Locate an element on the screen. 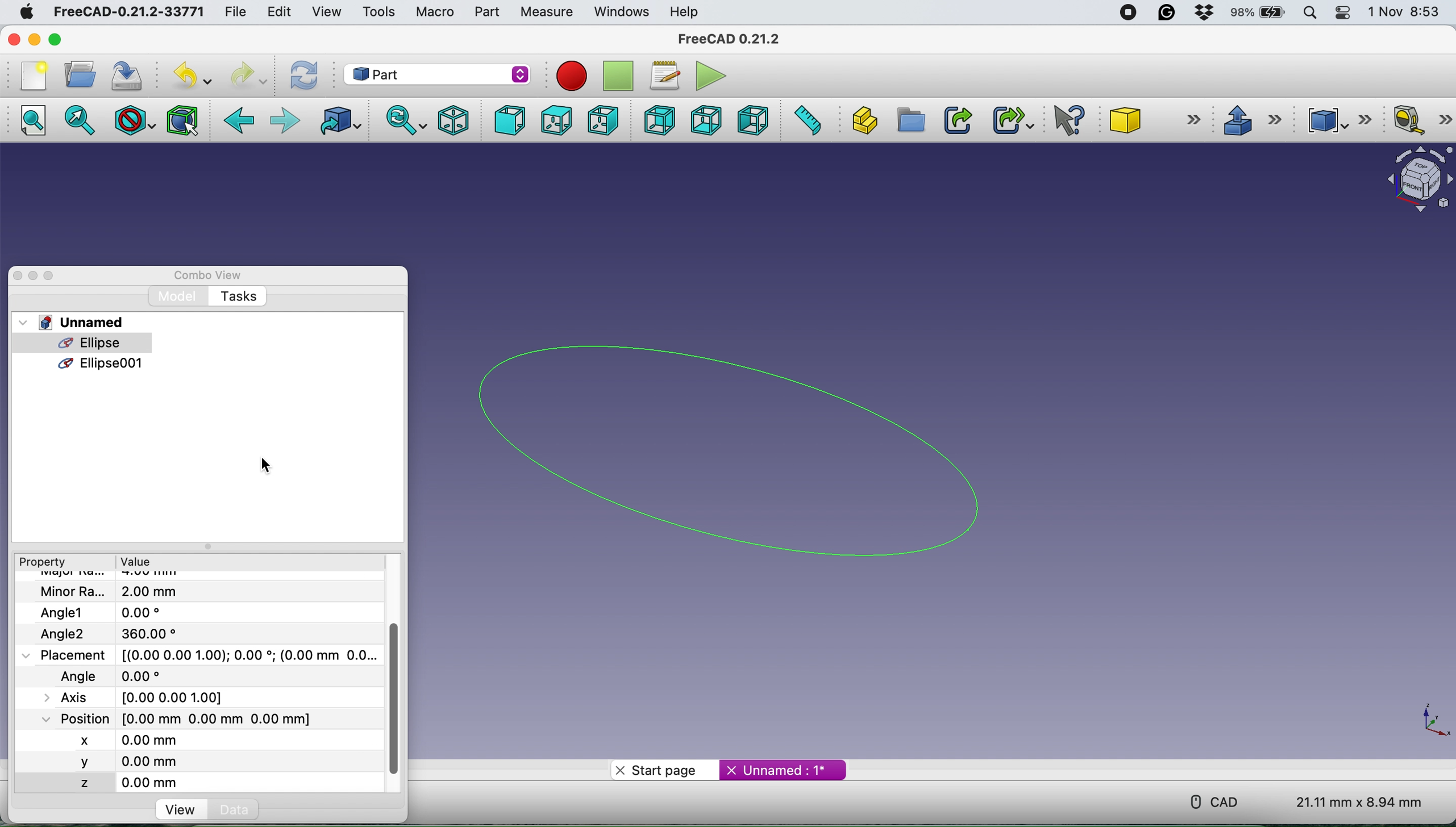 The image size is (1456, 827). dimension is located at coordinates (1362, 802).